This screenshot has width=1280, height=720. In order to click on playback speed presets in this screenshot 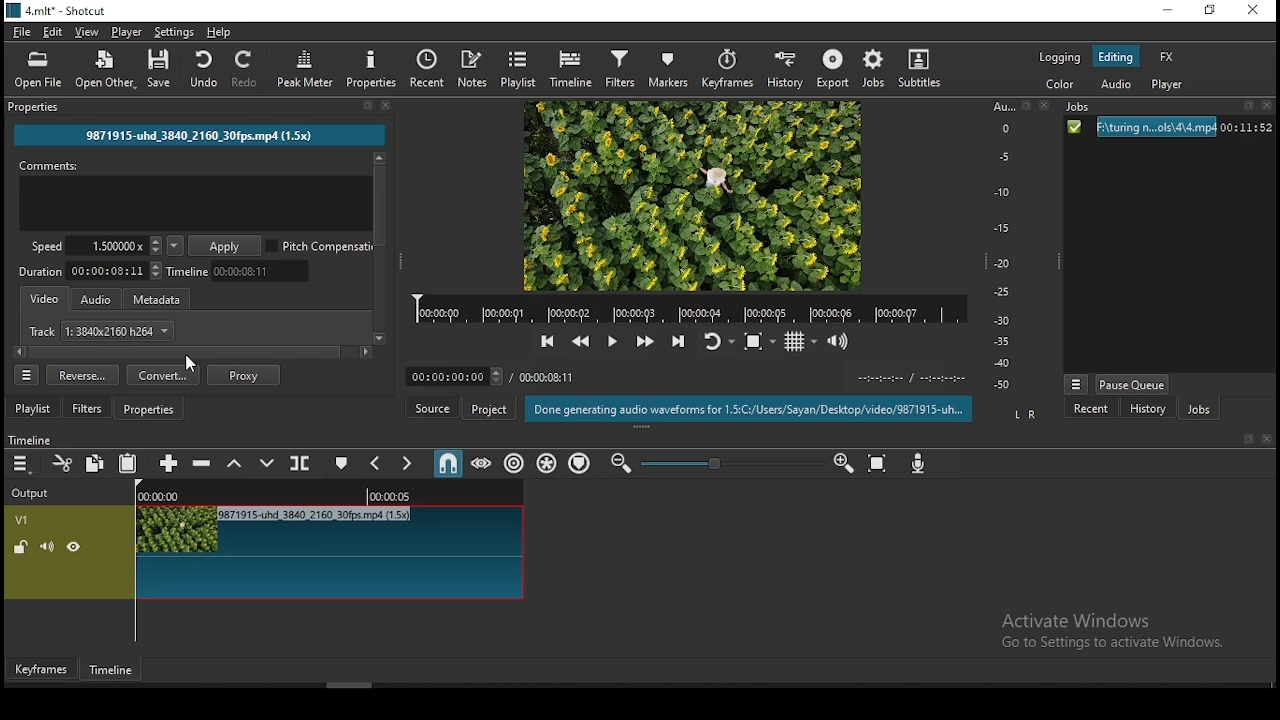, I will do `click(175, 246)`.